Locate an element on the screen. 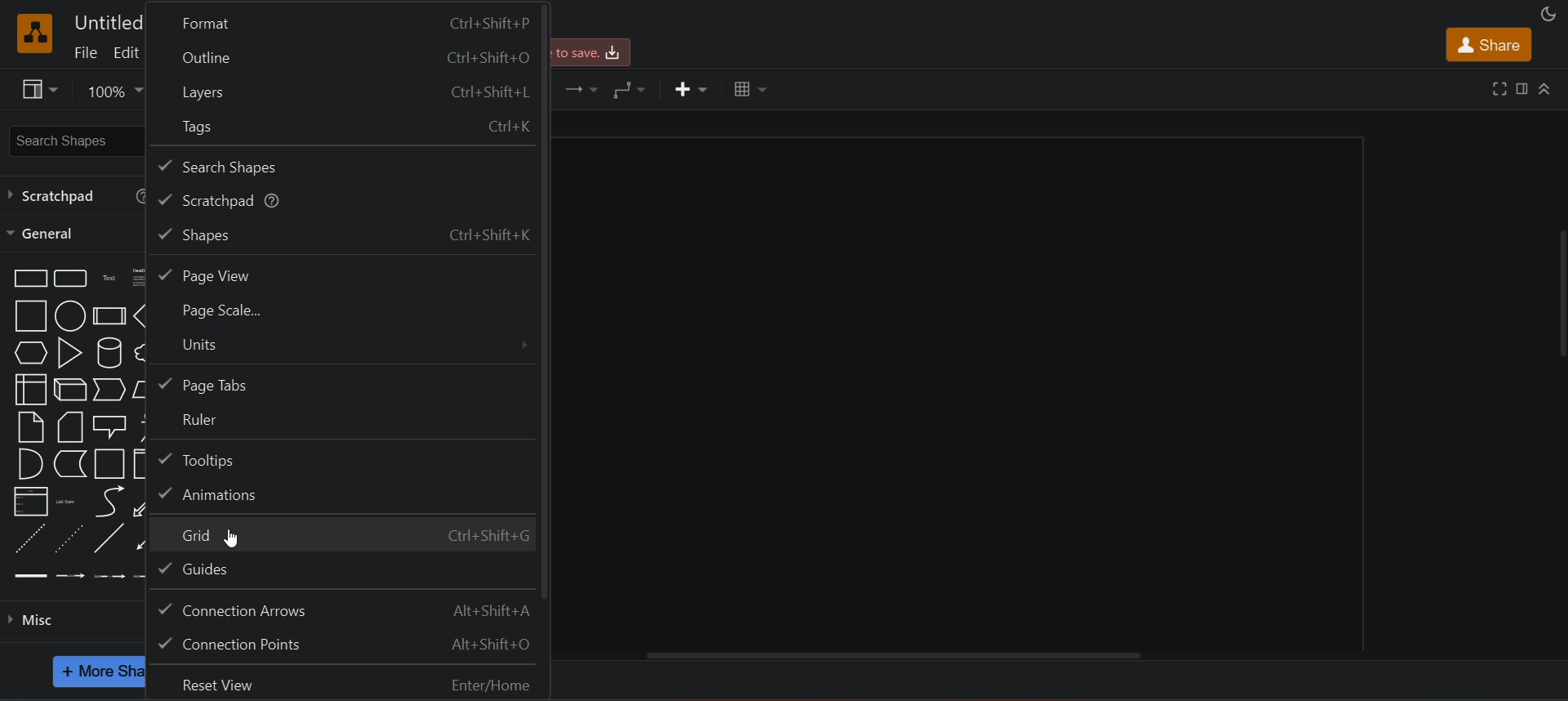  outline is located at coordinates (346, 53).